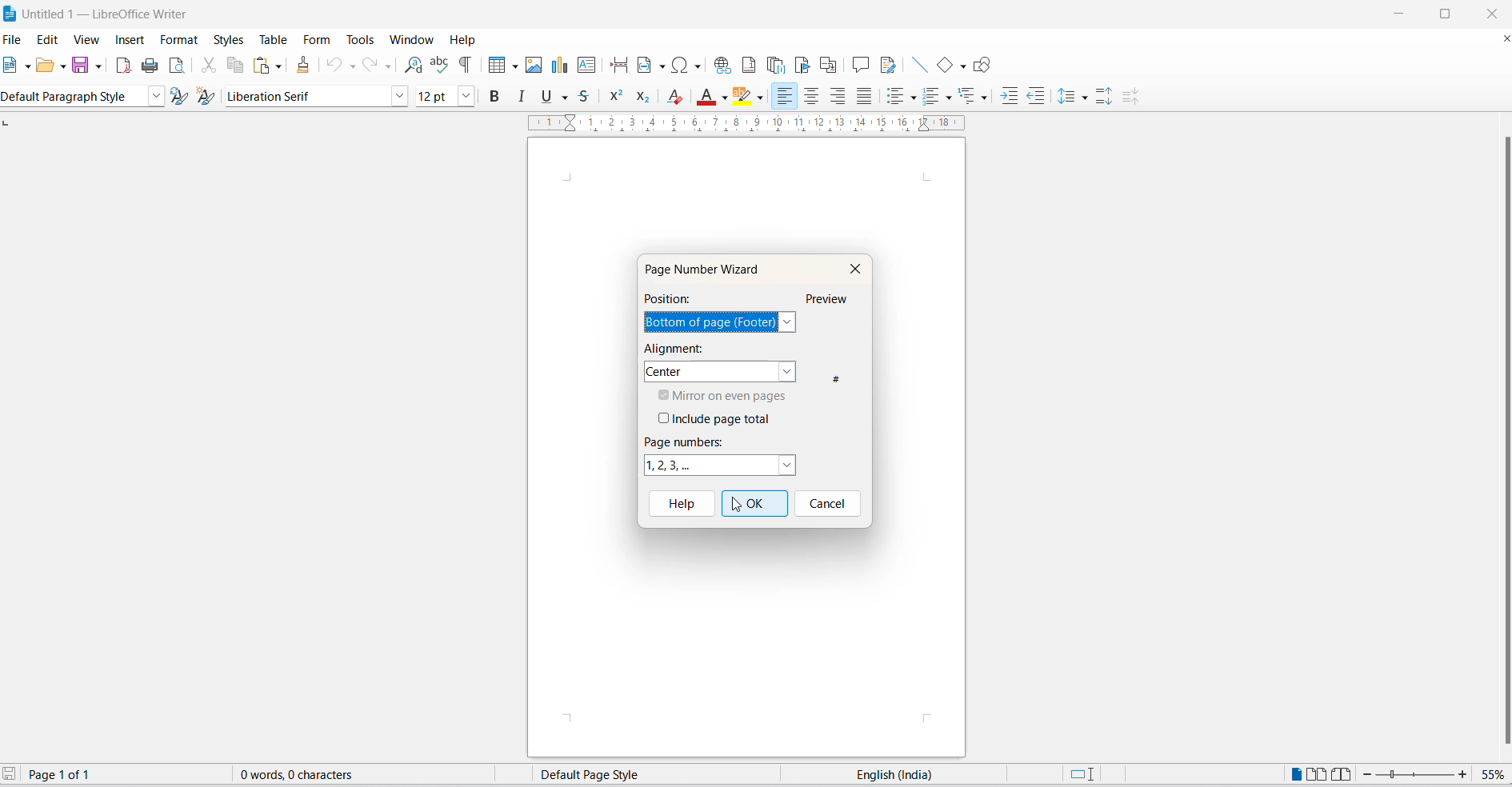  Describe the element at coordinates (638, 774) in the screenshot. I see `page style` at that location.